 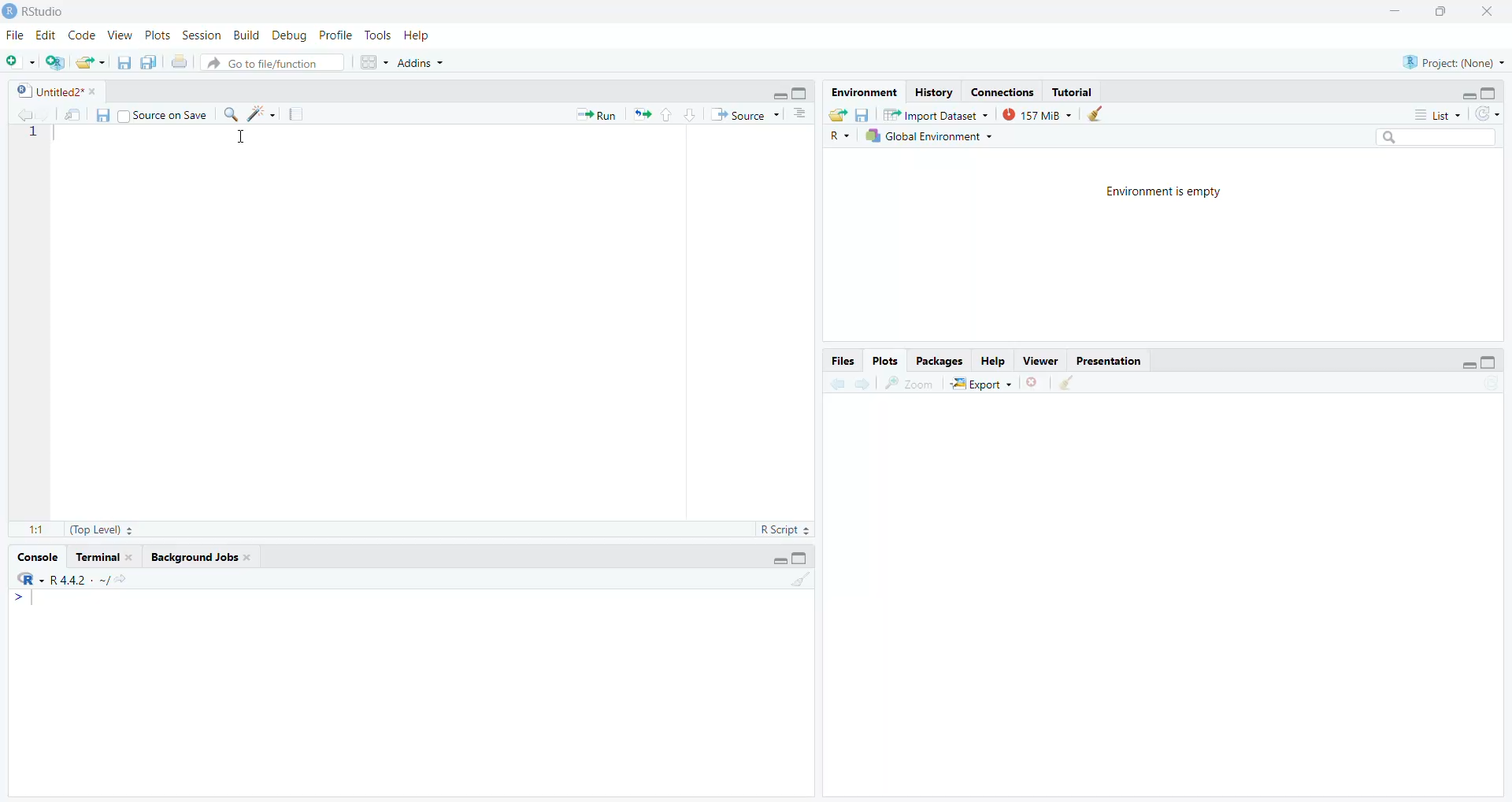 What do you see at coordinates (799, 555) in the screenshot?
I see `maximize` at bounding box center [799, 555].